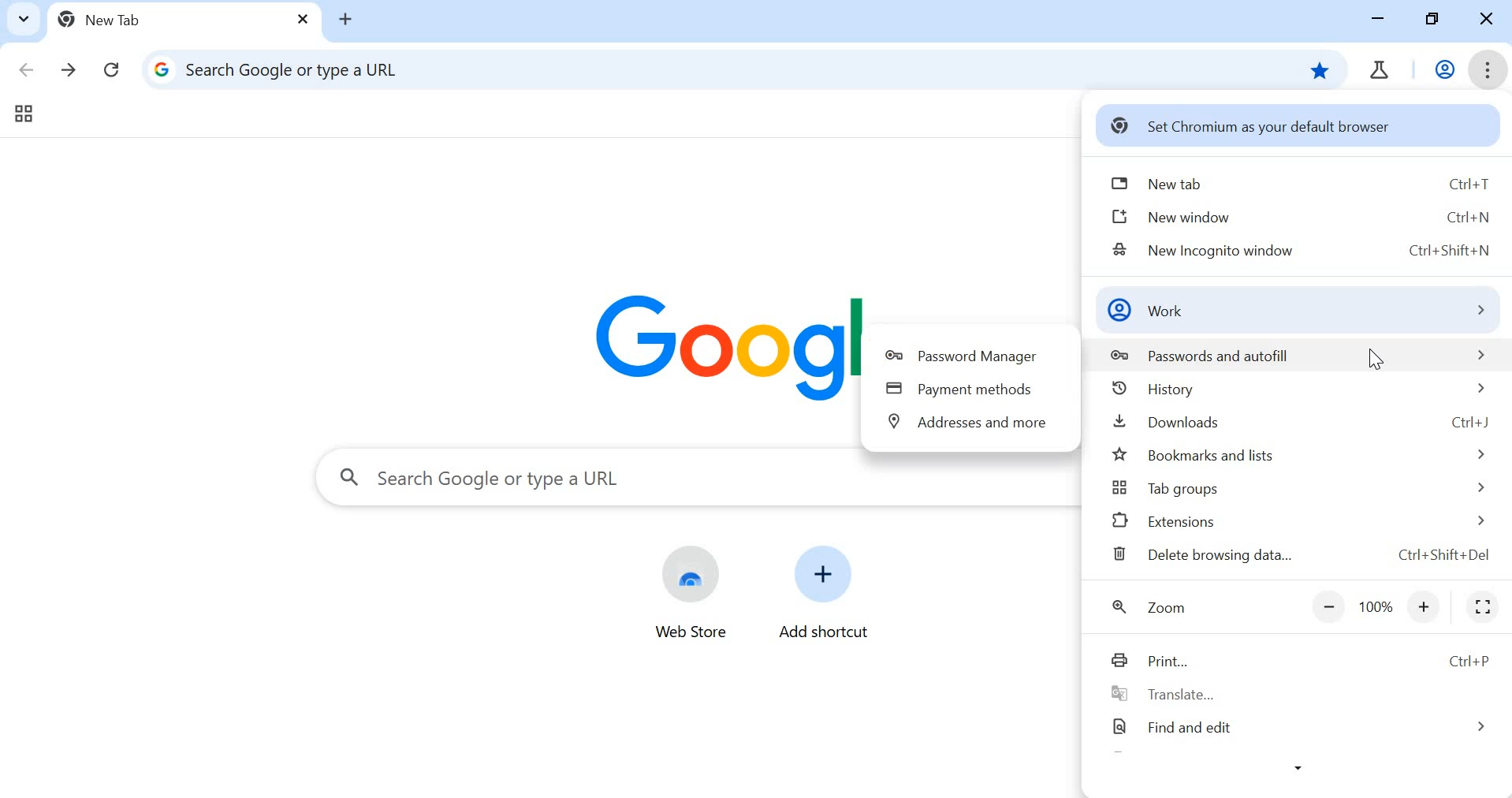 Image resolution: width=1512 pixels, height=798 pixels. What do you see at coordinates (969, 355) in the screenshot?
I see `password manager` at bounding box center [969, 355].